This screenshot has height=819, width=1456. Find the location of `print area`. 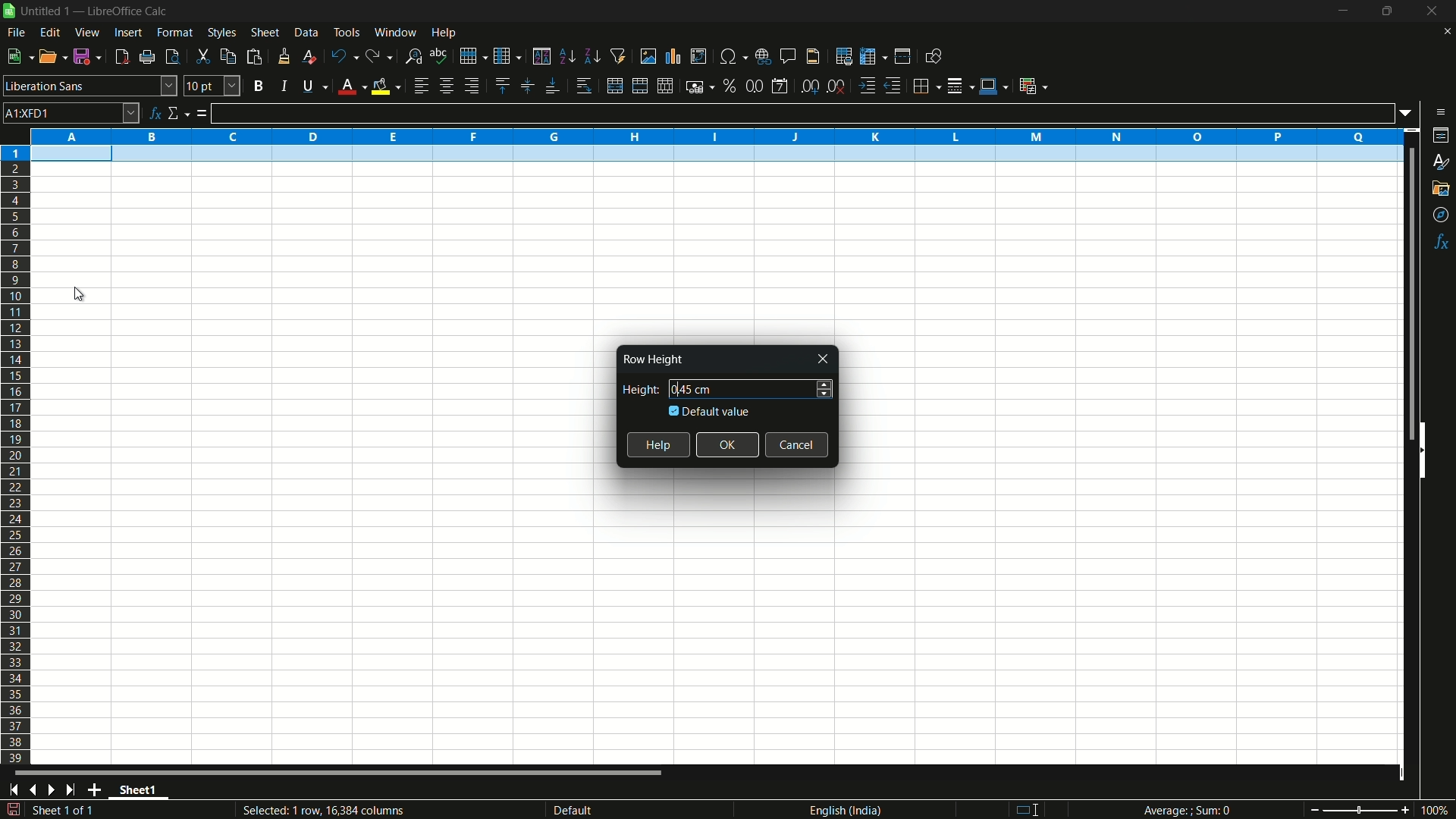

print area is located at coordinates (844, 56).